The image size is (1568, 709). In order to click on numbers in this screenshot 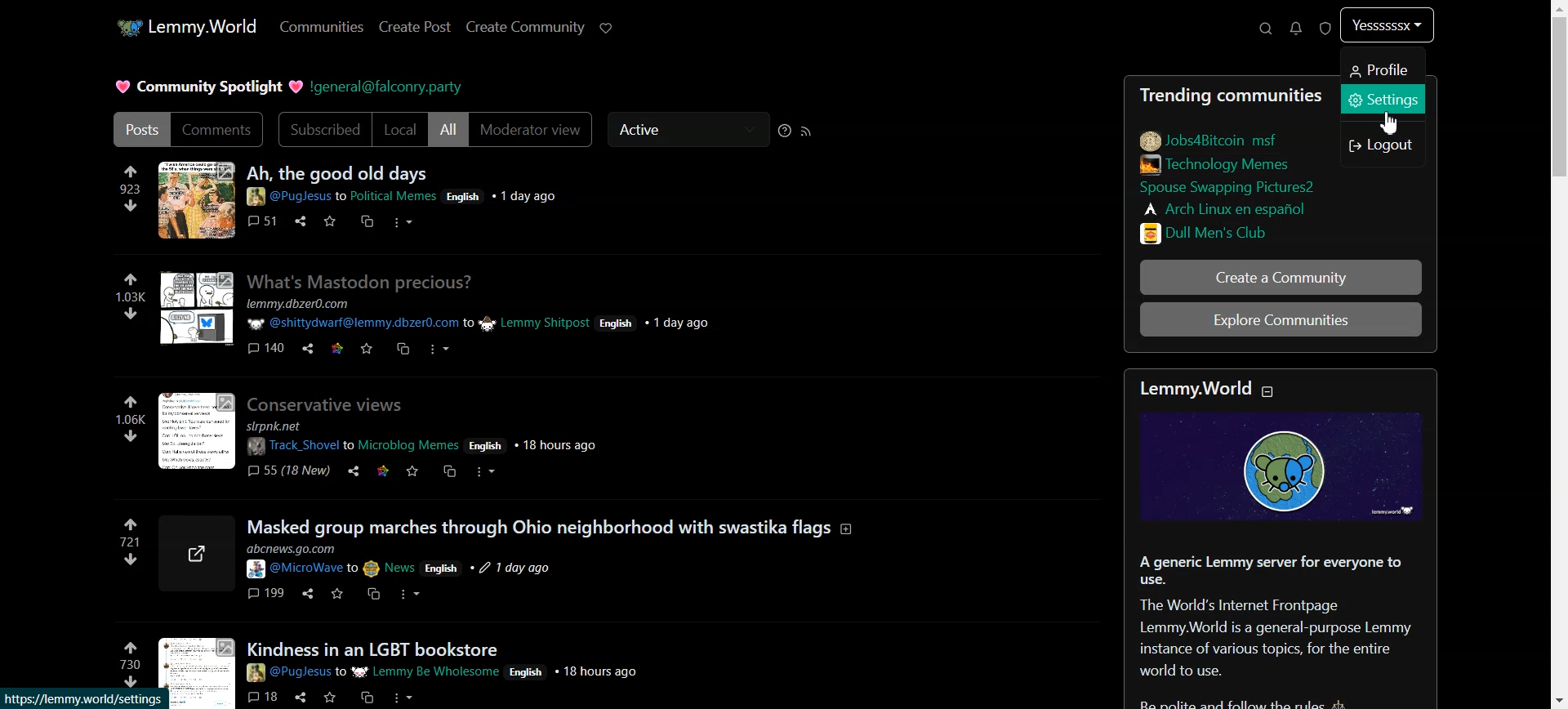, I will do `click(134, 187)`.